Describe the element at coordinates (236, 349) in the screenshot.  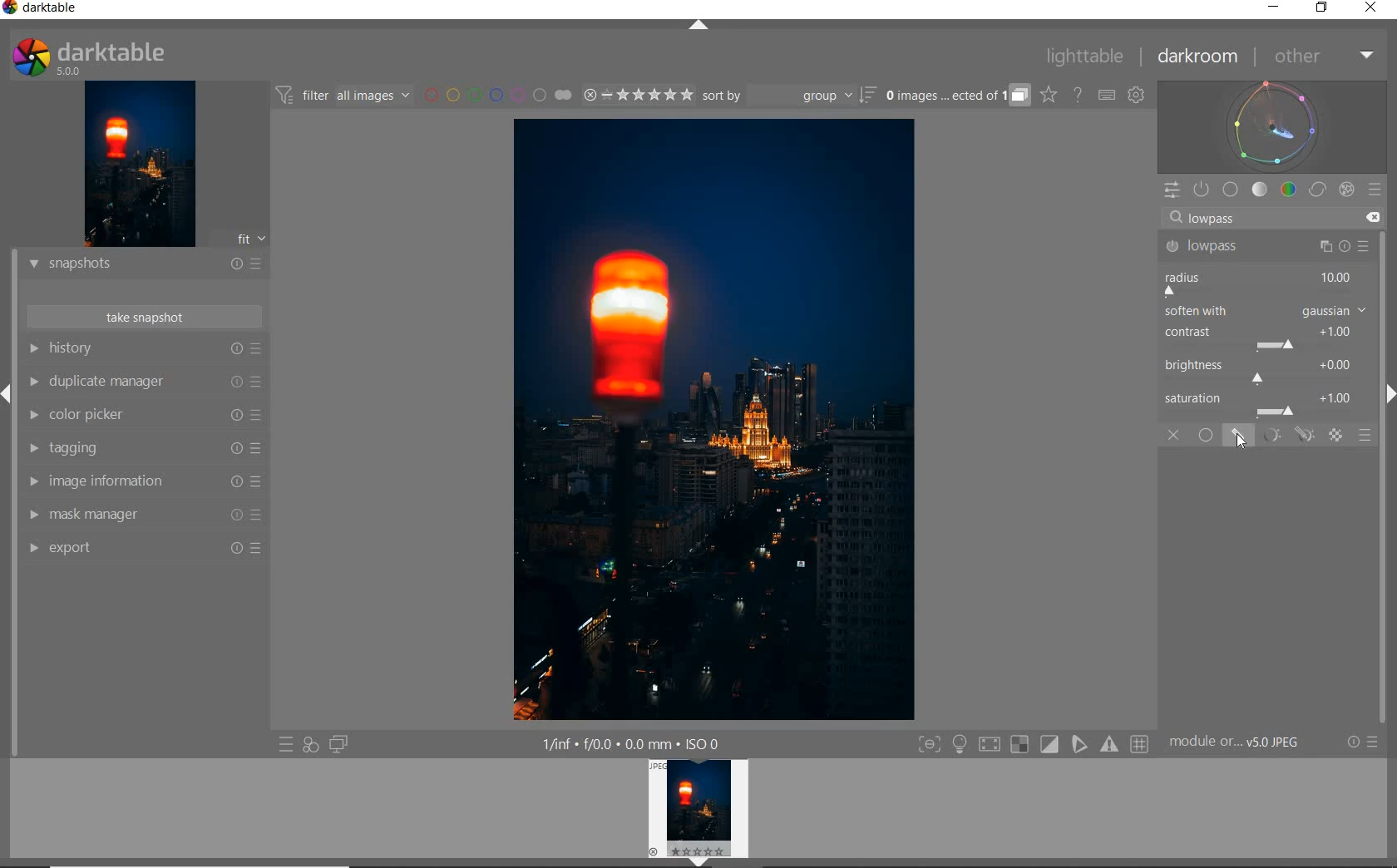
I see `reset` at that location.